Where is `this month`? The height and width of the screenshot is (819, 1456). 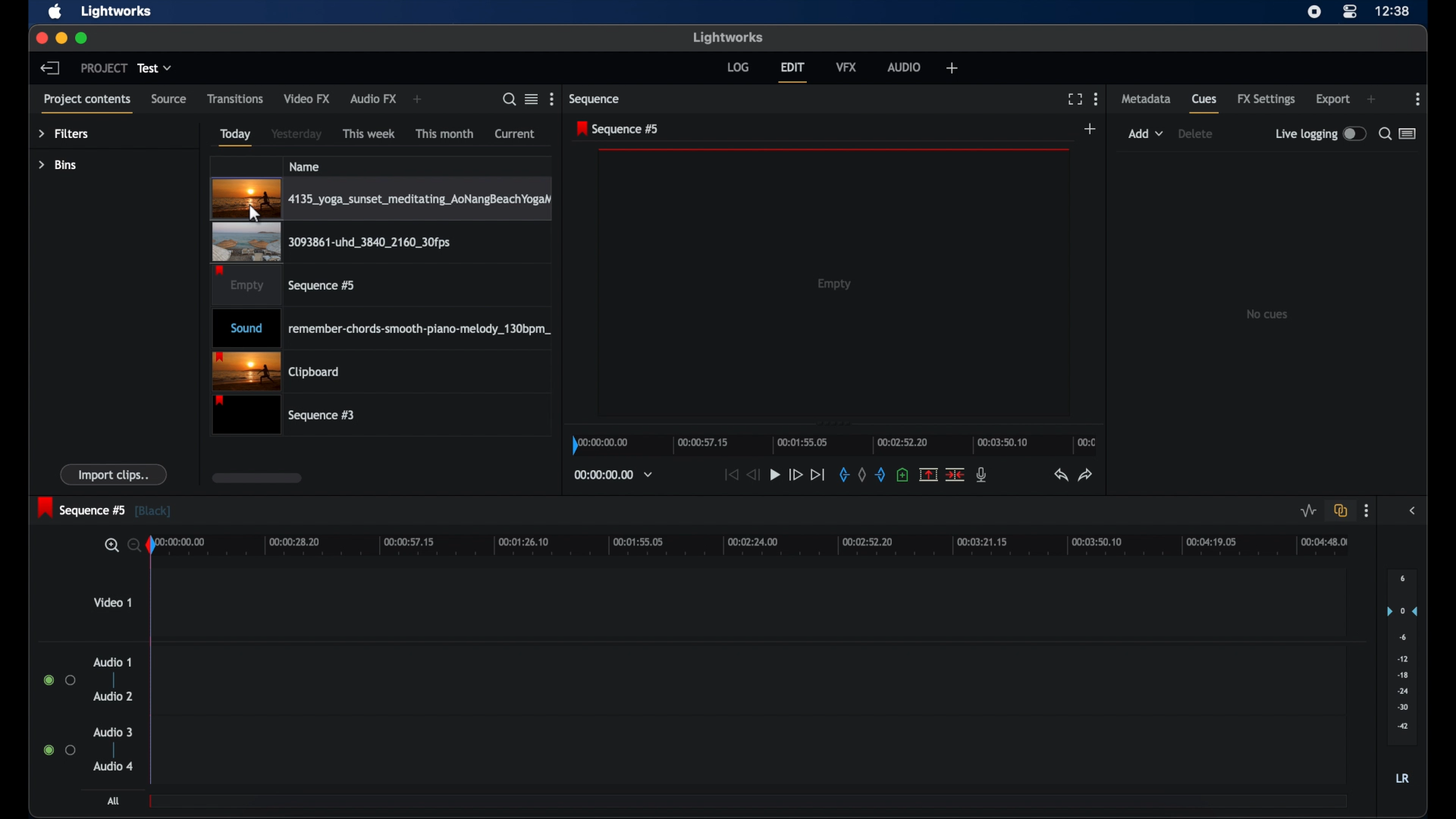 this month is located at coordinates (444, 133).